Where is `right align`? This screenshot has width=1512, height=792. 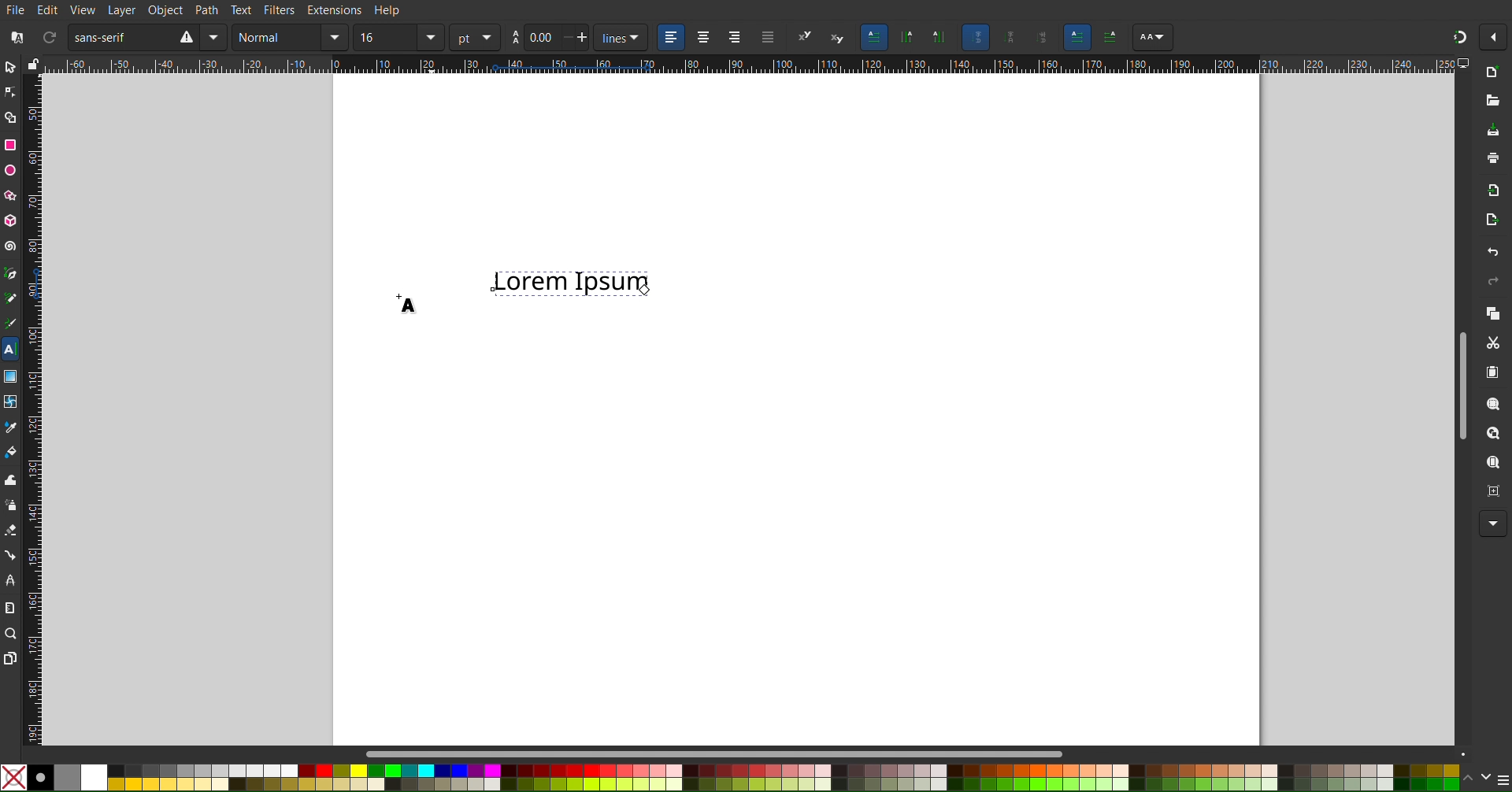
right align is located at coordinates (734, 39).